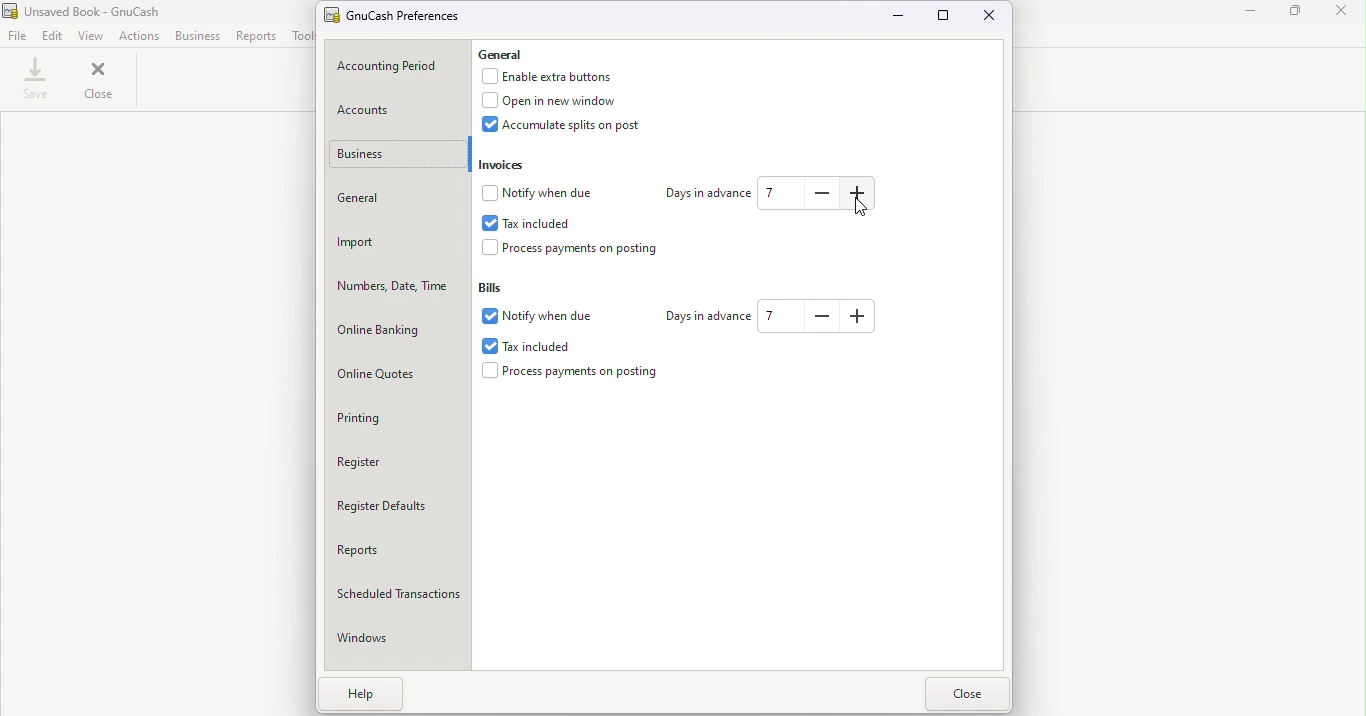 Image resolution: width=1366 pixels, height=716 pixels. What do you see at coordinates (825, 316) in the screenshot?
I see `how many days in the future to warn about bills coming due` at bounding box center [825, 316].